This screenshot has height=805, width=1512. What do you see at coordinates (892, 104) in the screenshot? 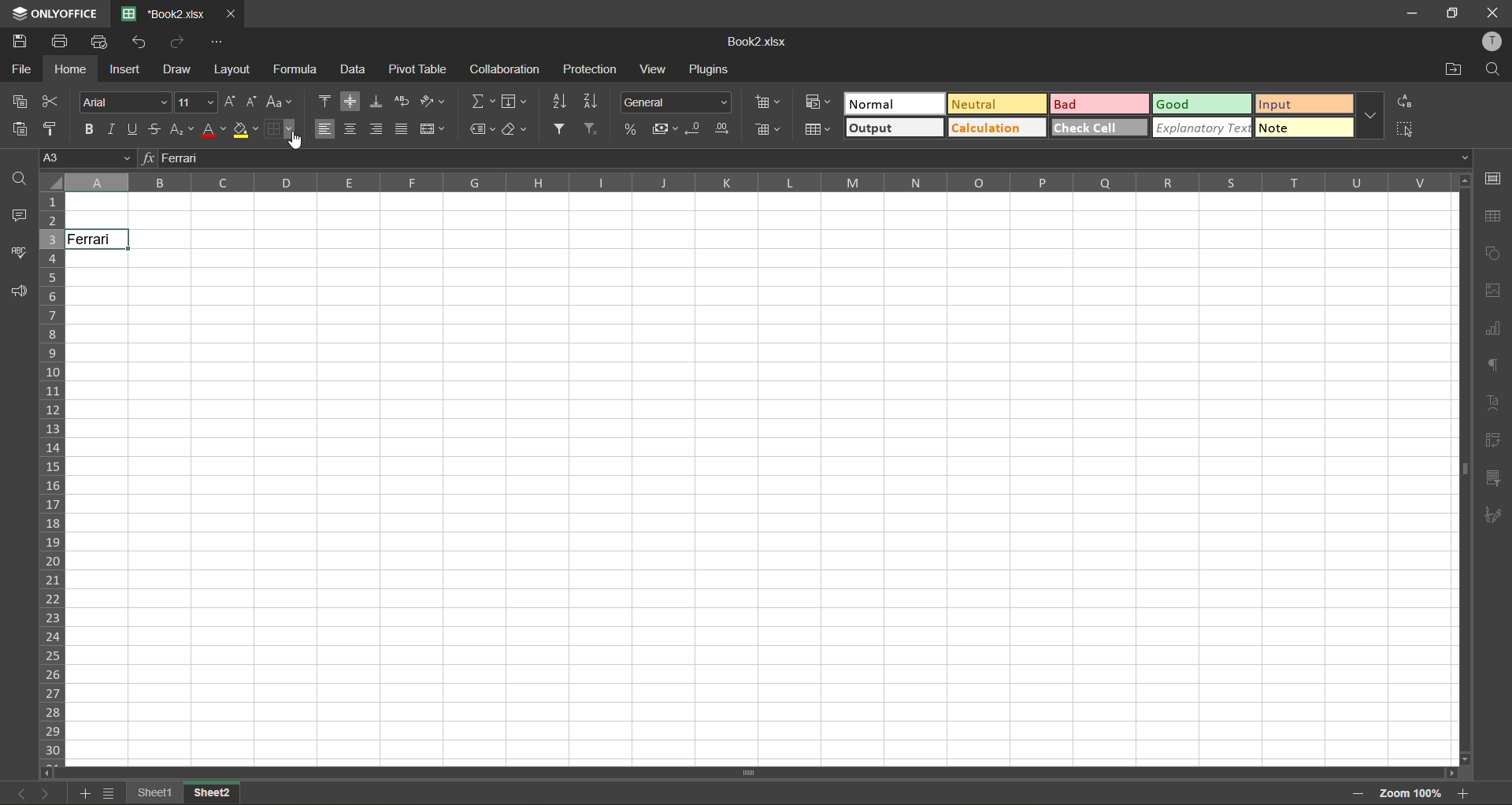
I see `normal` at bounding box center [892, 104].